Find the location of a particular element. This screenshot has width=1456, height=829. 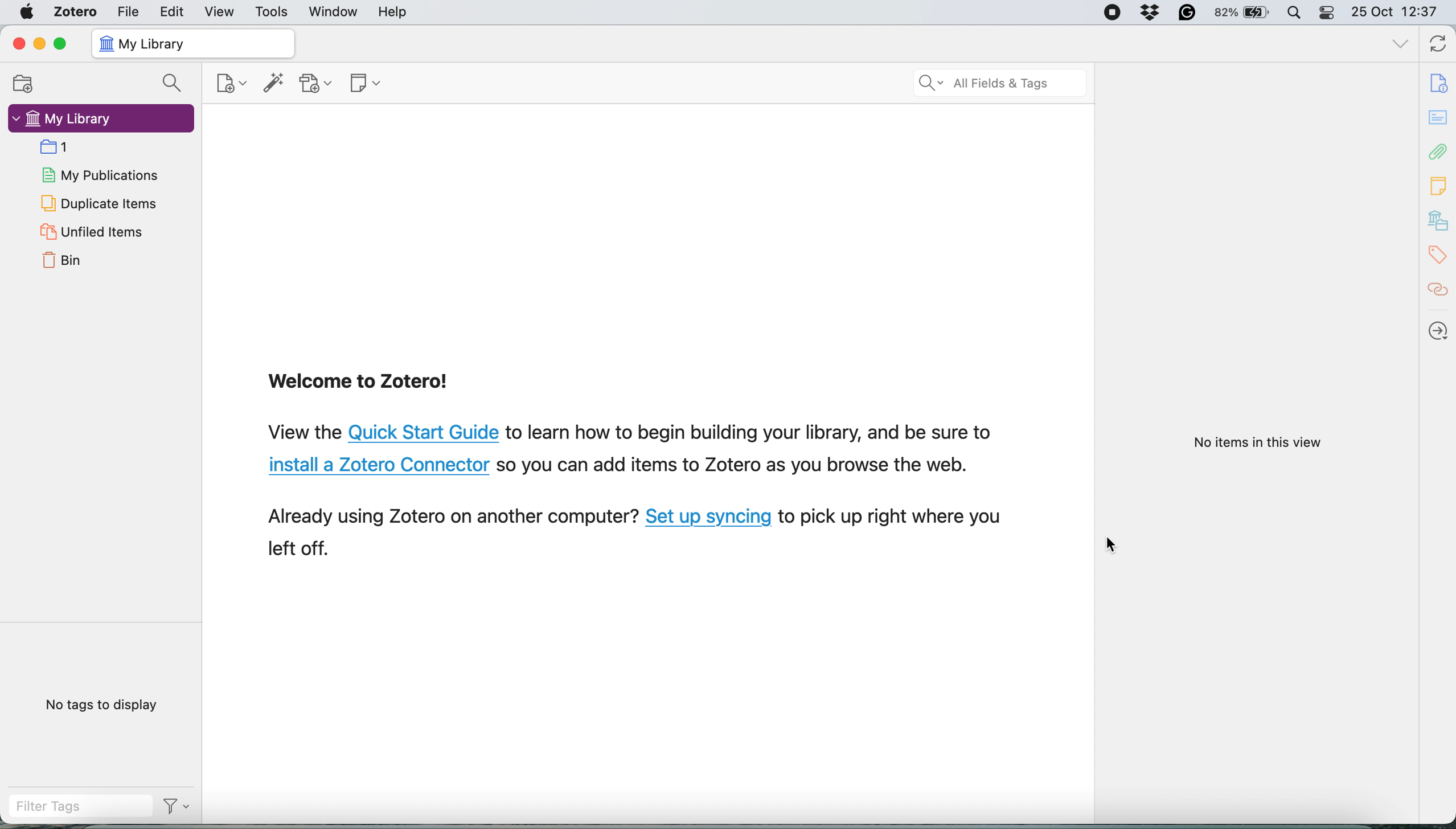

new note is located at coordinates (367, 84).